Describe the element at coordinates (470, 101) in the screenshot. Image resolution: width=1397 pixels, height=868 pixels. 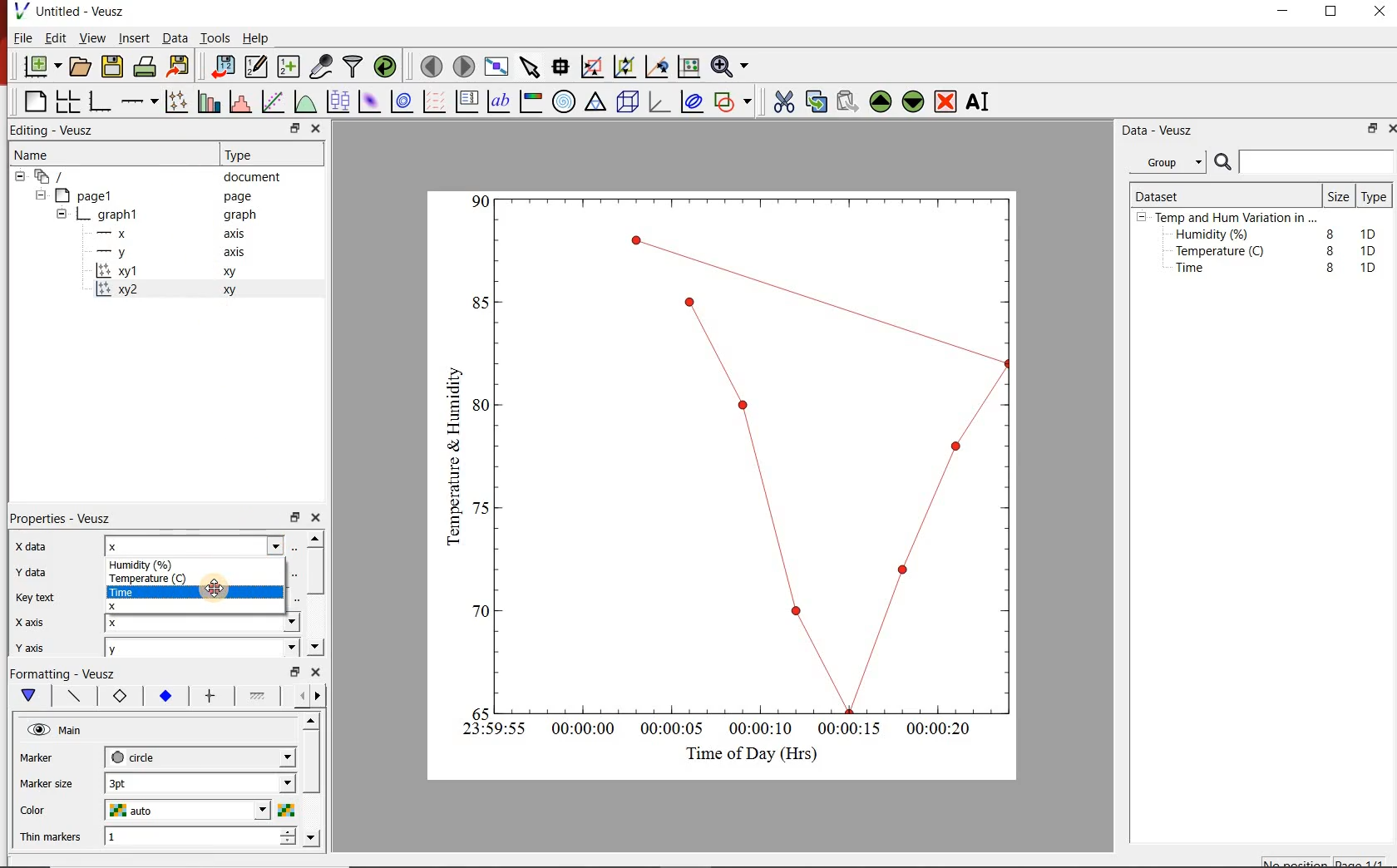
I see `plot key` at that location.